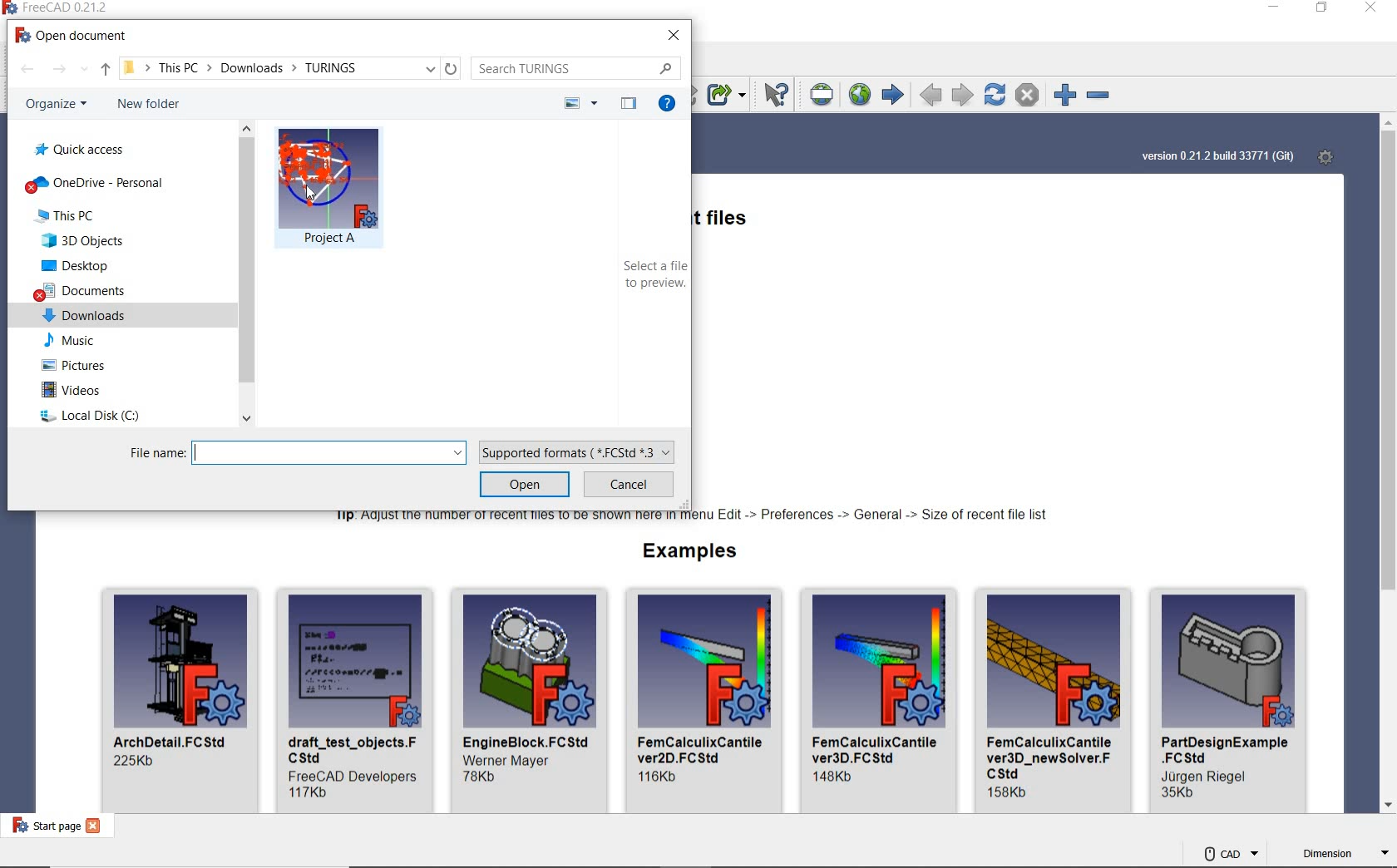  I want to click on image, so click(531, 659).